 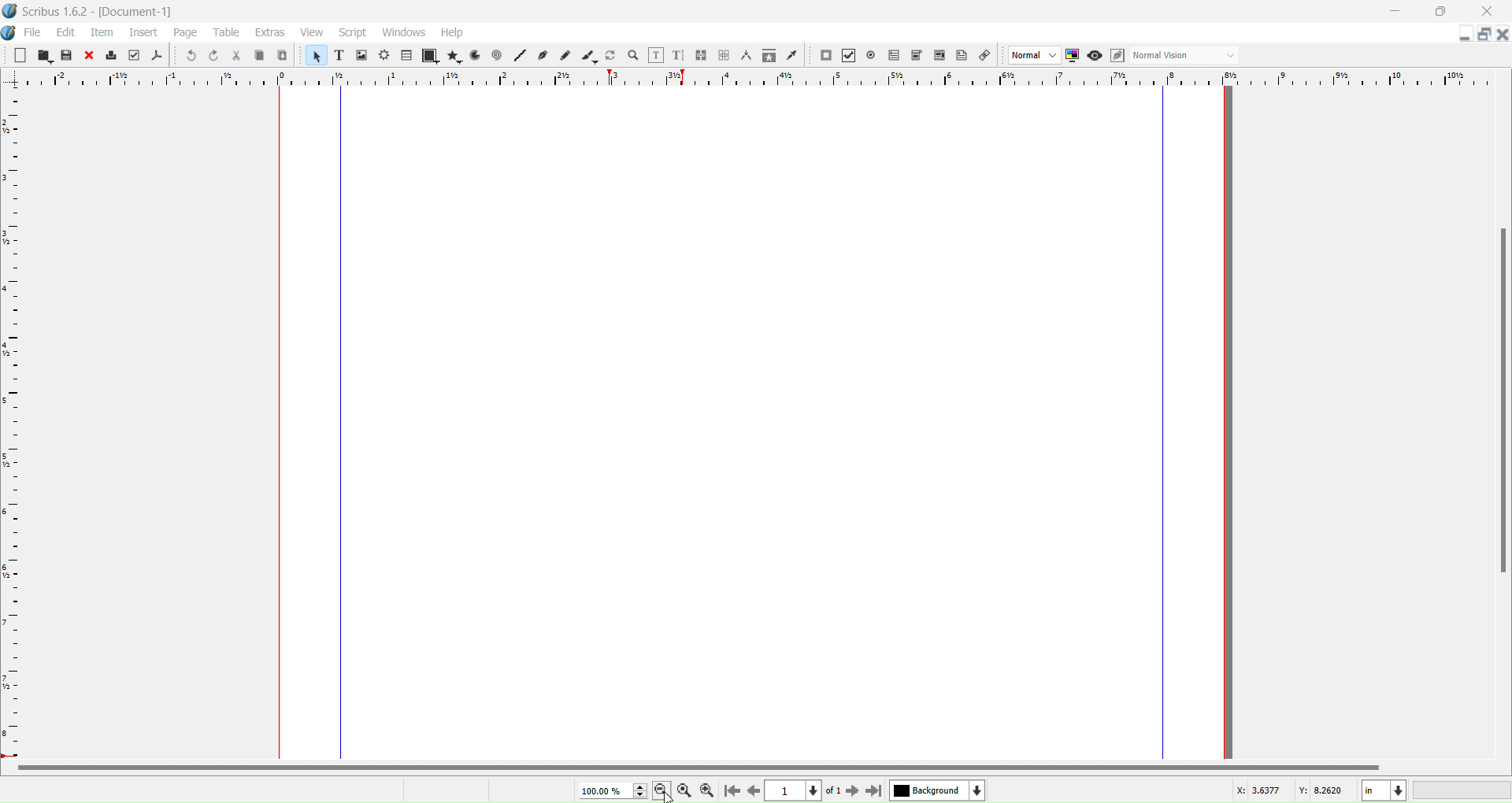 I want to click on Close, so click(x=87, y=56).